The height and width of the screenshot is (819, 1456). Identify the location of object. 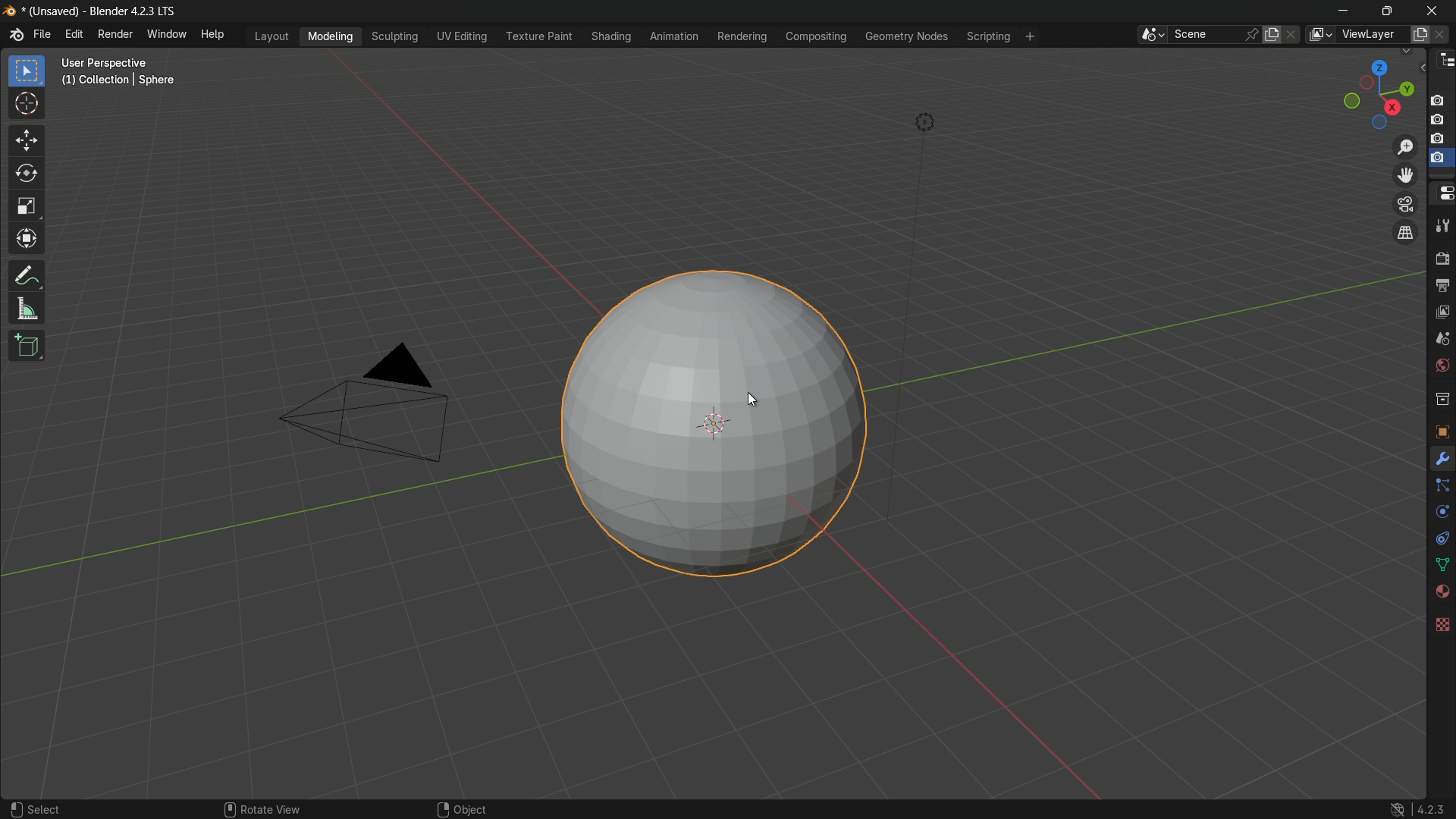
(462, 805).